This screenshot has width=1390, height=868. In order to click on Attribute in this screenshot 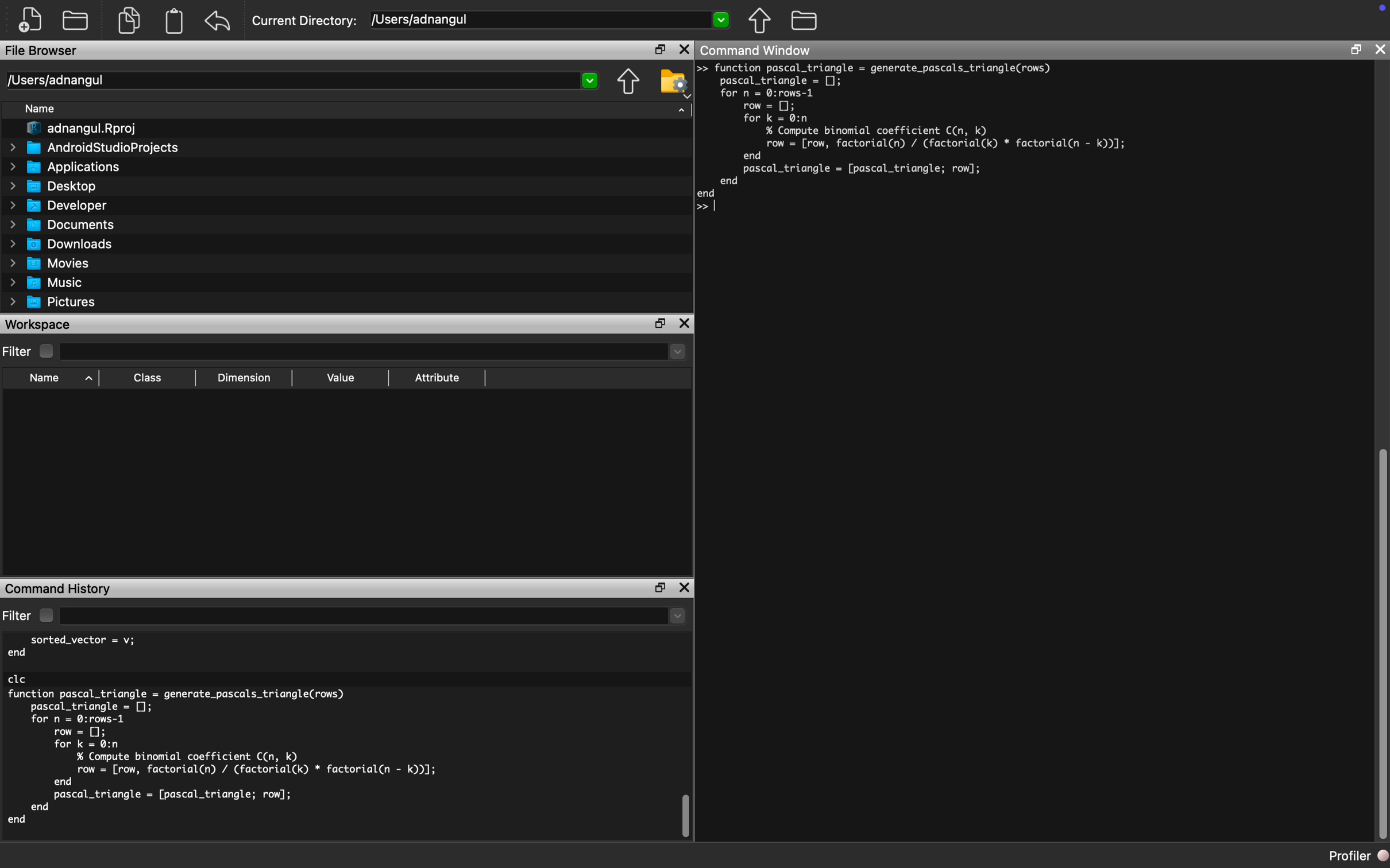, I will do `click(436, 378)`.